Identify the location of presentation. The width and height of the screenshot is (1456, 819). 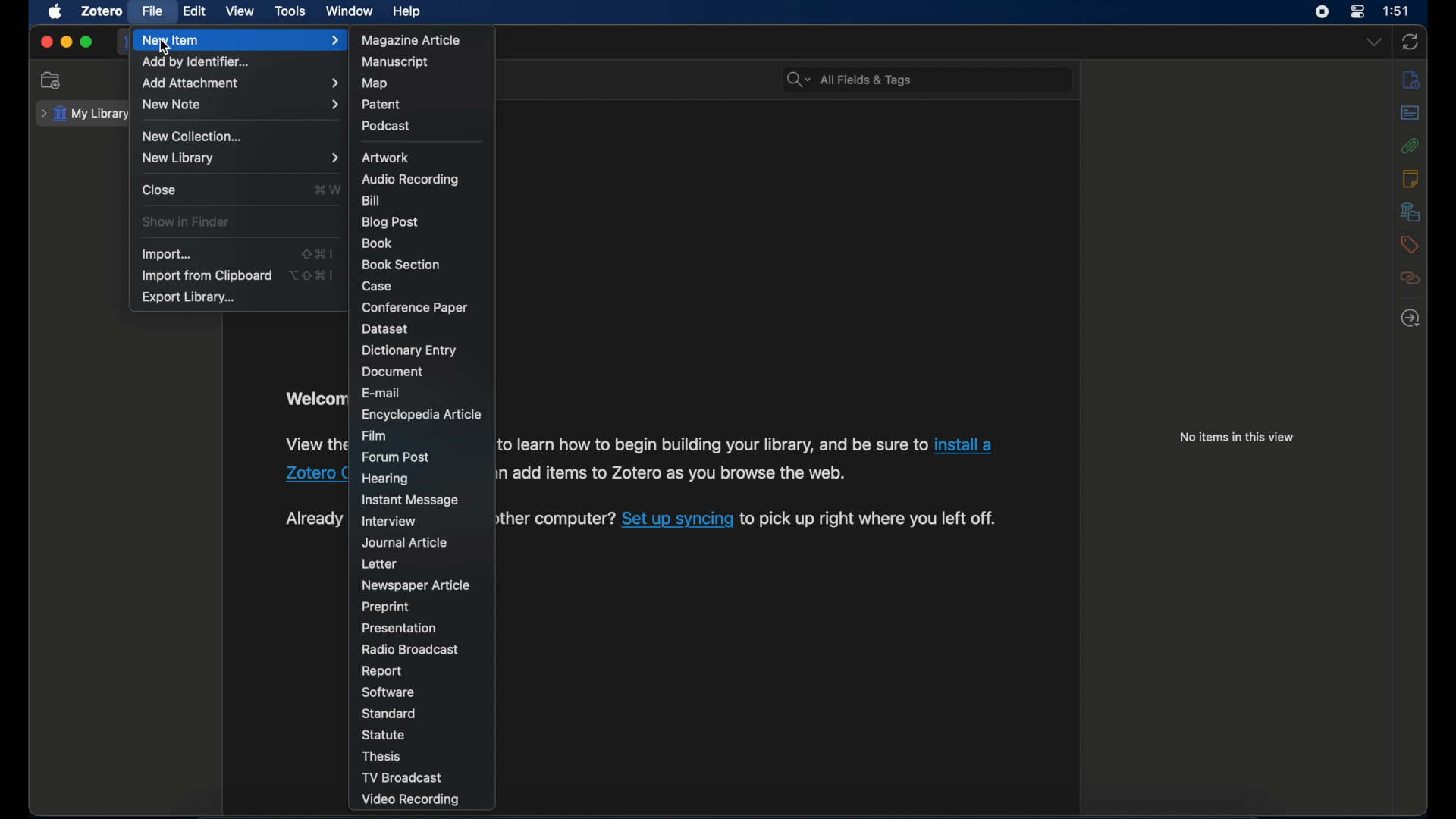
(401, 629).